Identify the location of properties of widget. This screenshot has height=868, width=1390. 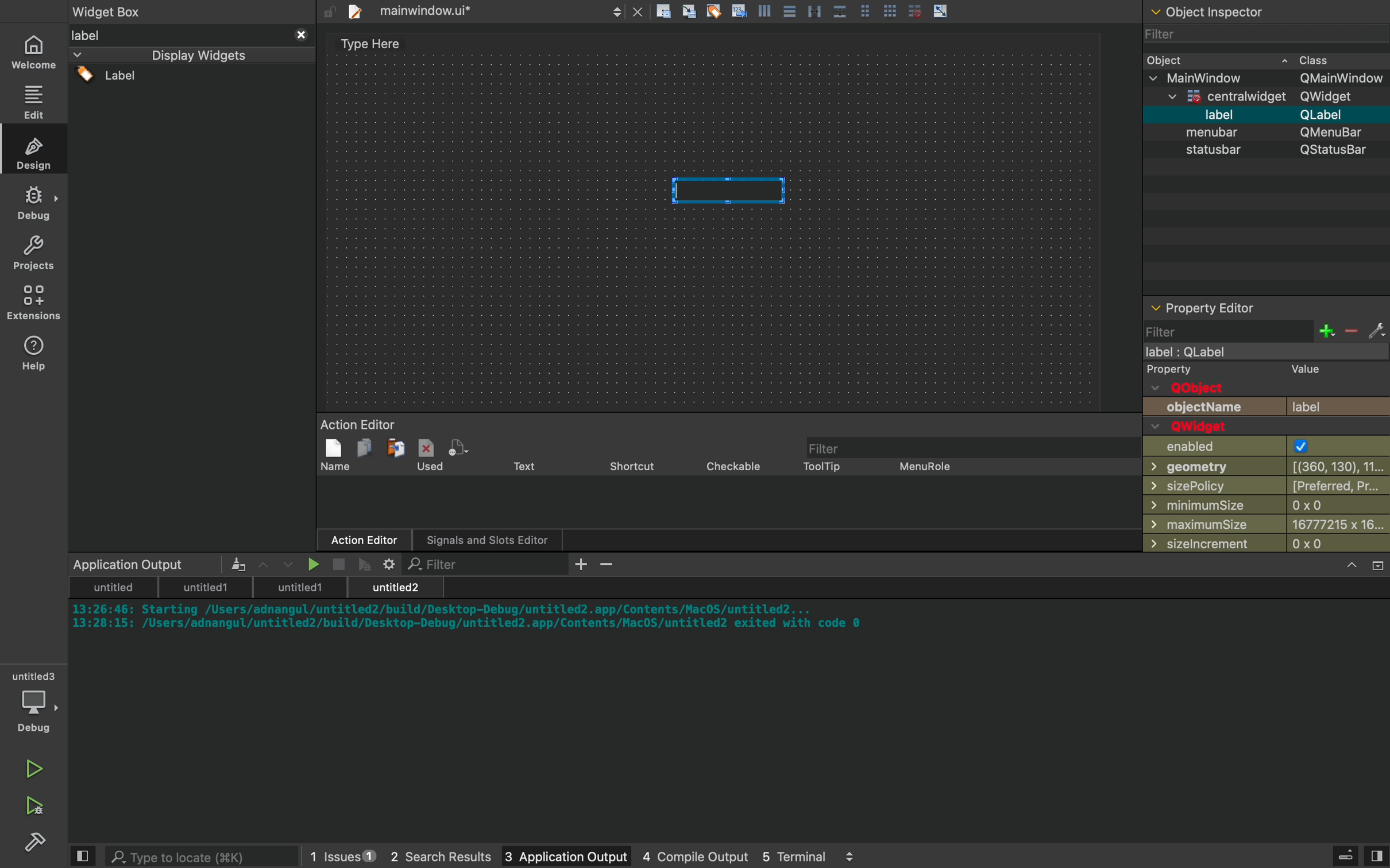
(1268, 427).